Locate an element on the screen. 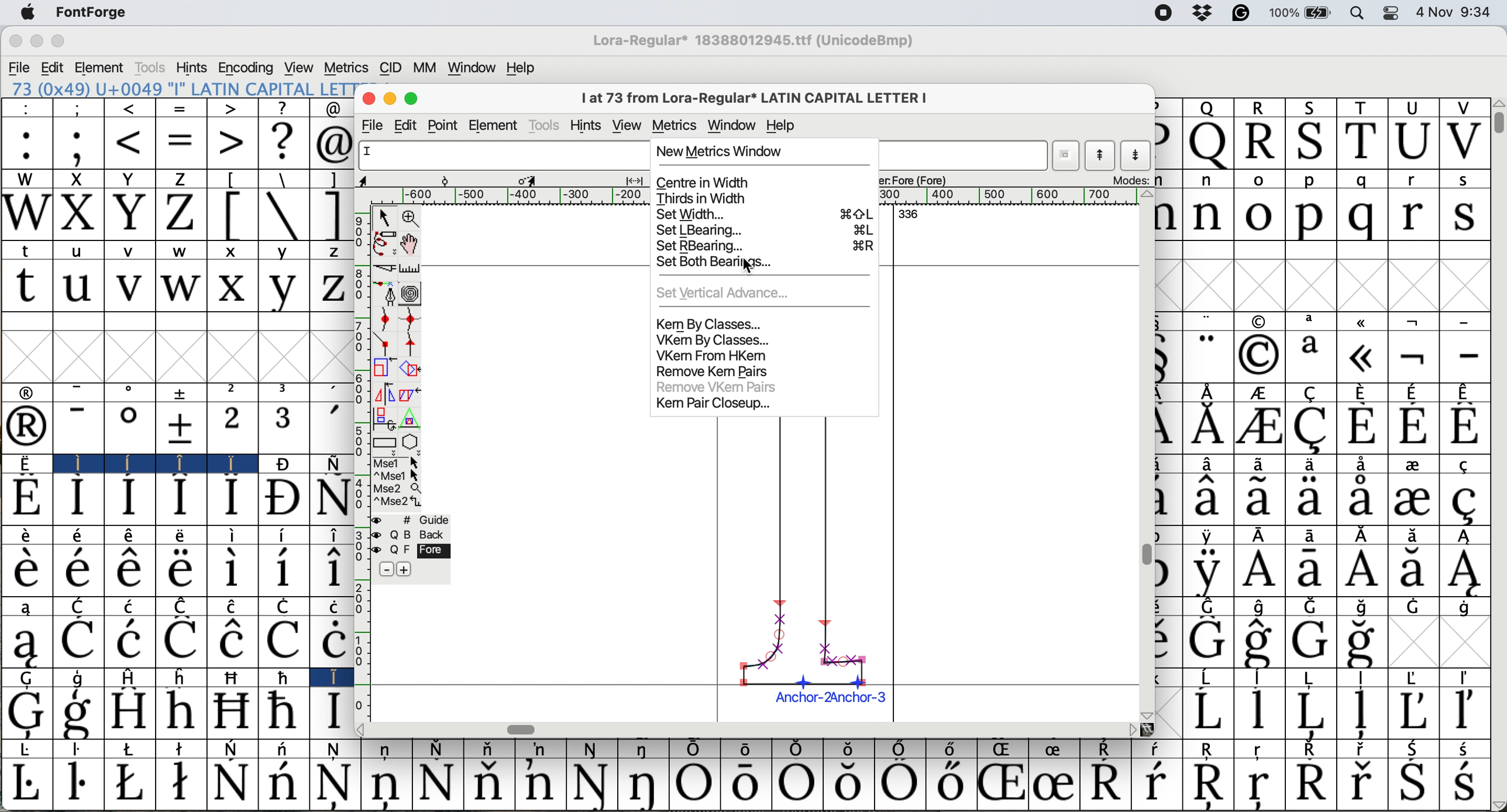  symbol is located at coordinates (29, 391).